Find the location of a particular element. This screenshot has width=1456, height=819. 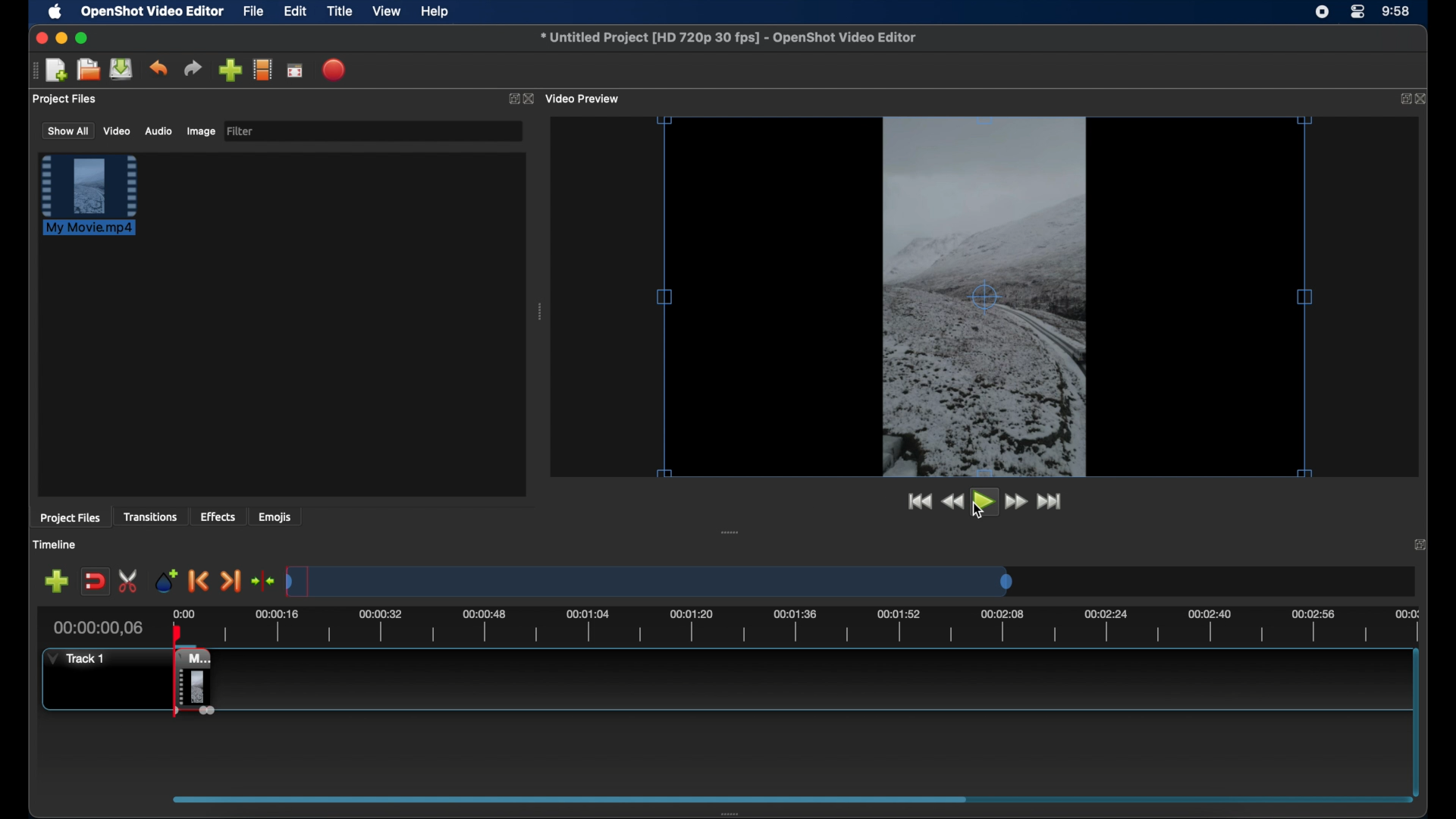

show all is located at coordinates (67, 130).